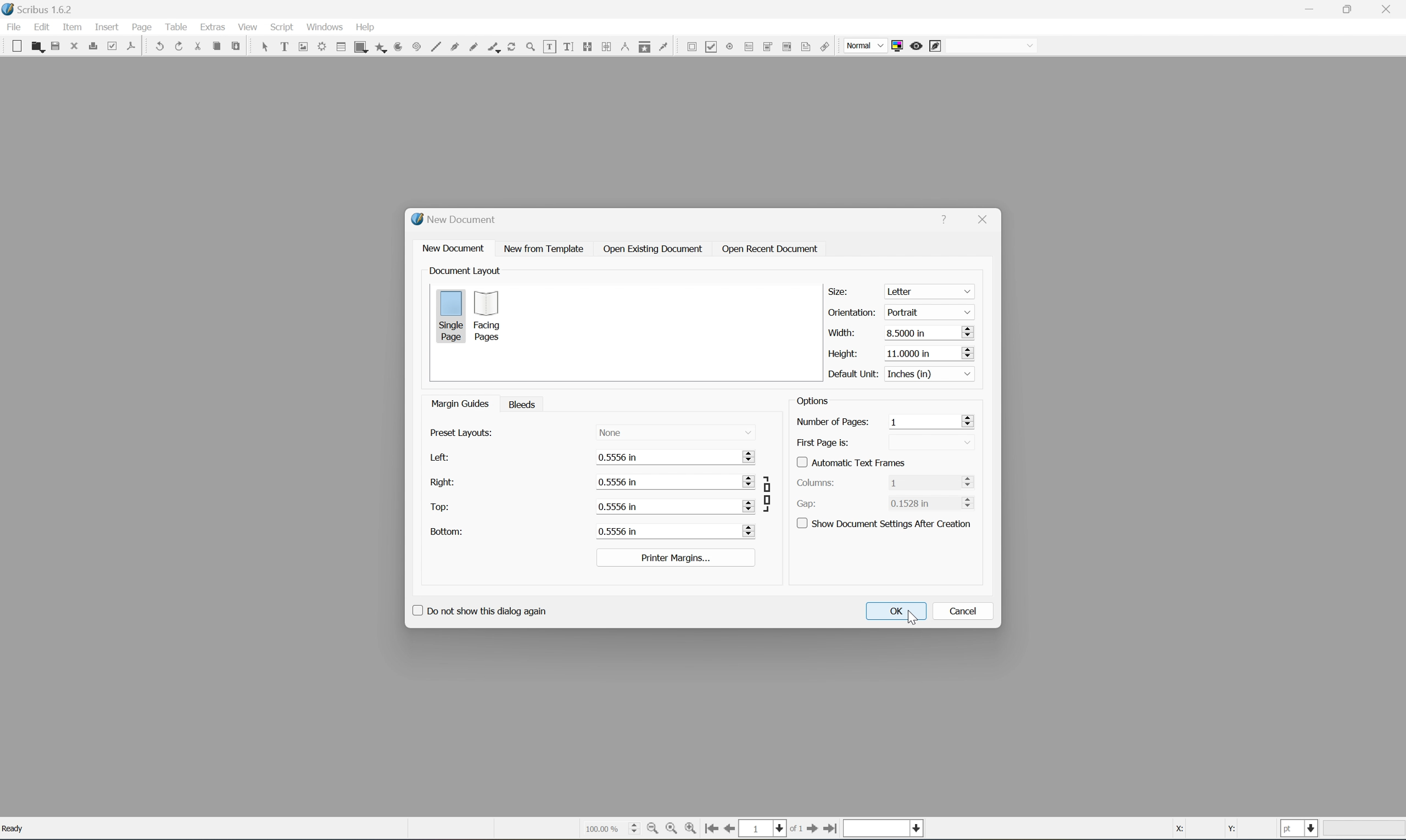  Describe the element at coordinates (967, 611) in the screenshot. I see `cancel` at that location.